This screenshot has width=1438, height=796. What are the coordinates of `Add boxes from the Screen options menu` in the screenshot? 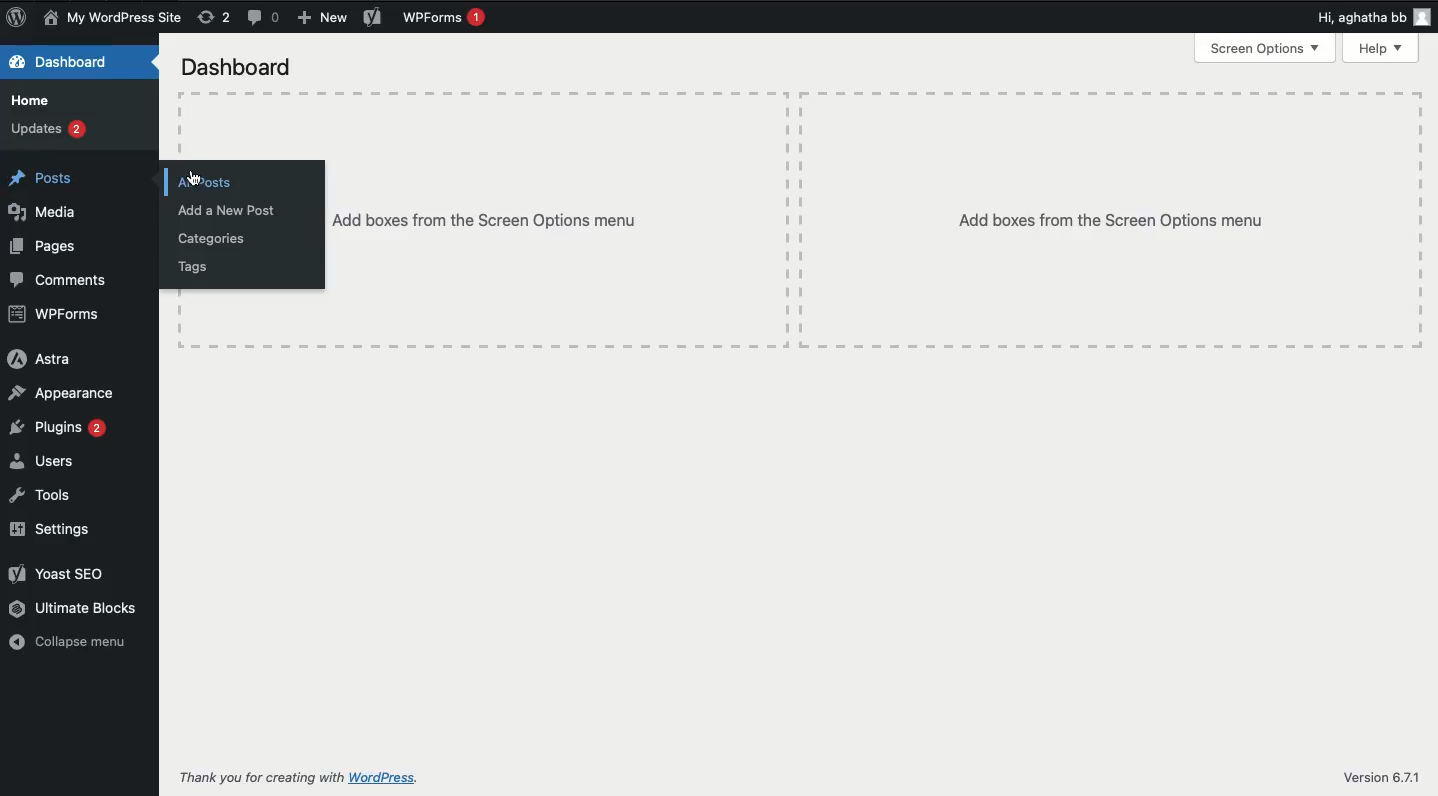 It's located at (487, 223).